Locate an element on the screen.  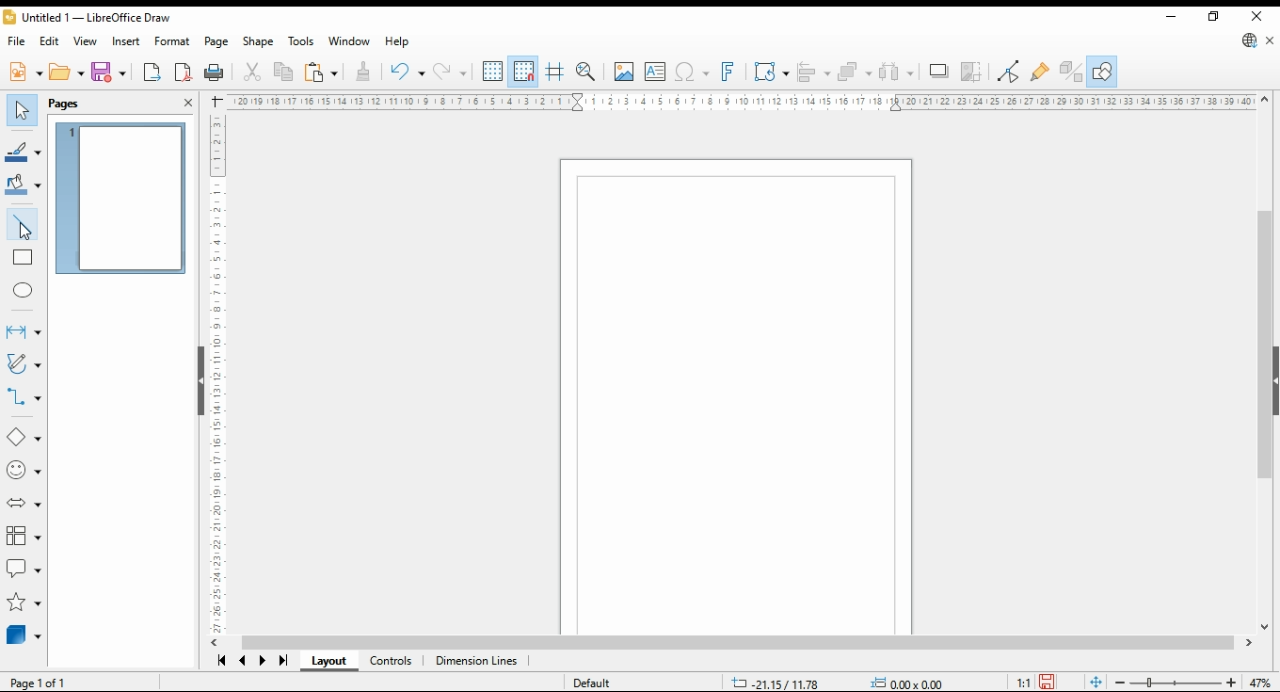
fit document to window is located at coordinates (1097, 683).